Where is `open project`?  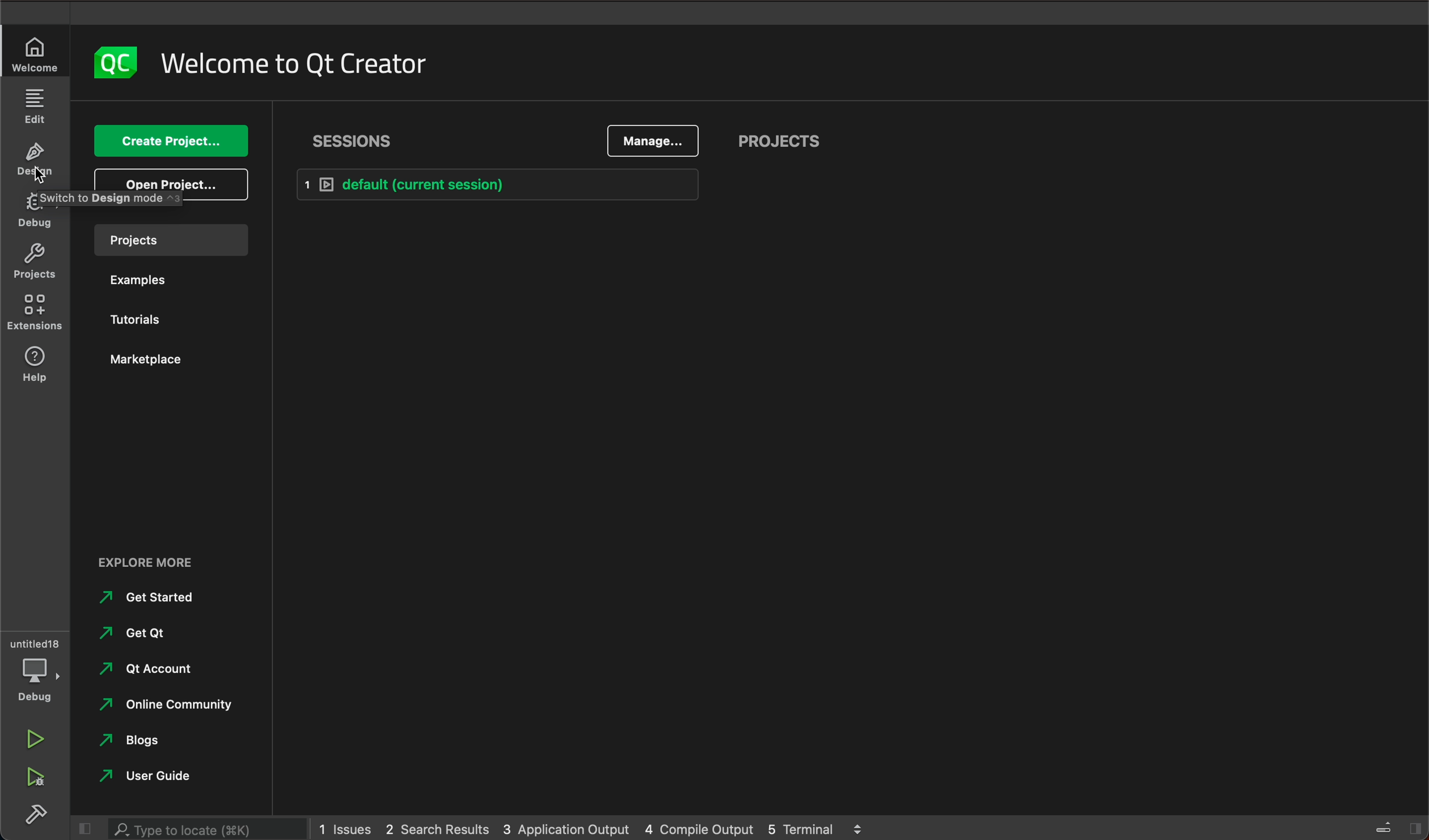
open project is located at coordinates (170, 184).